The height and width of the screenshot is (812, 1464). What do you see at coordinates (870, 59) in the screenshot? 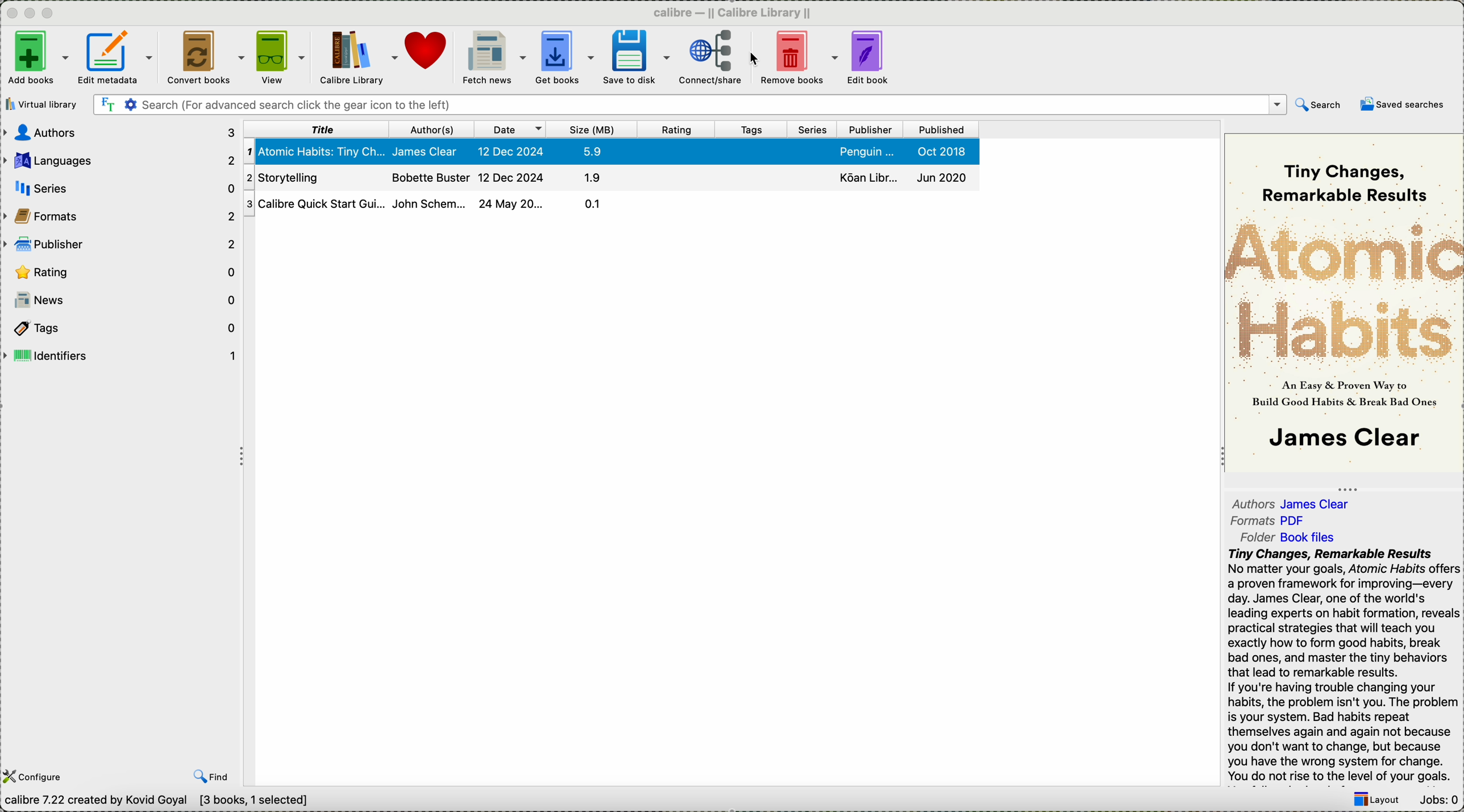
I see `edit book` at bounding box center [870, 59].